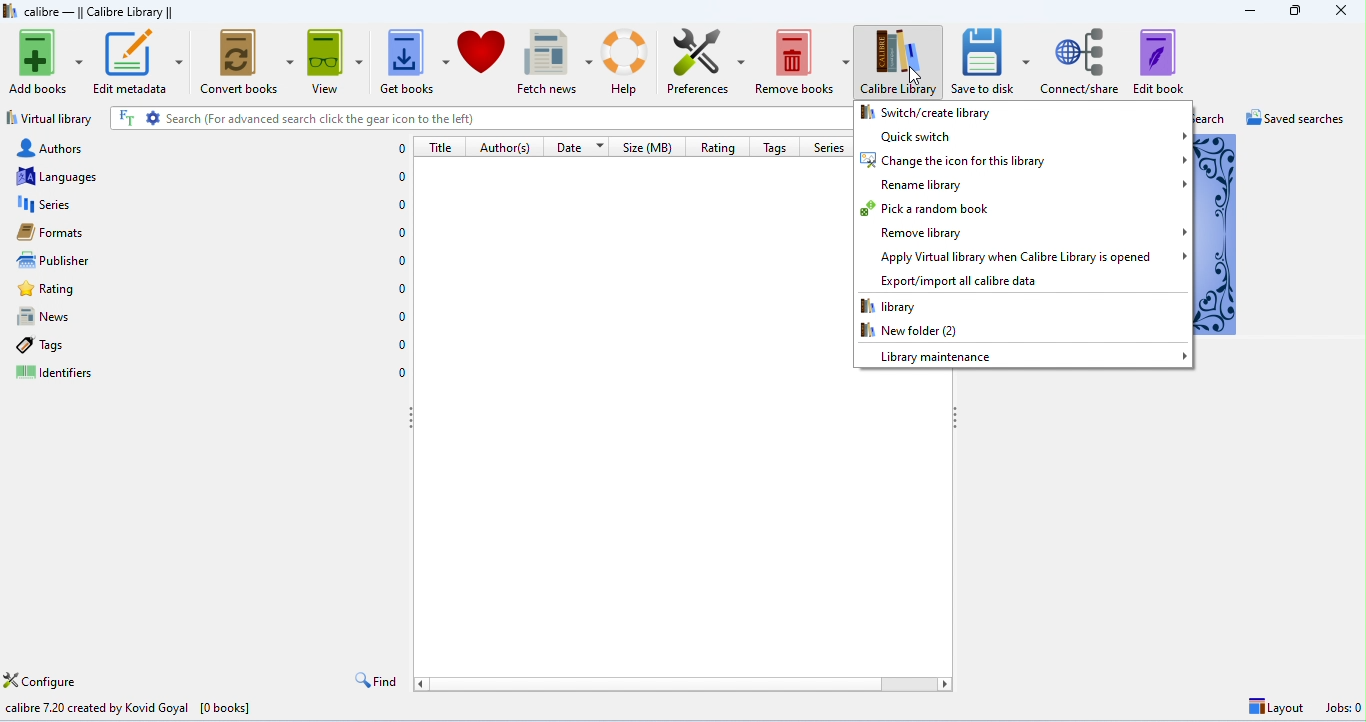 This screenshot has height=722, width=1366. I want to click on help, so click(628, 59).